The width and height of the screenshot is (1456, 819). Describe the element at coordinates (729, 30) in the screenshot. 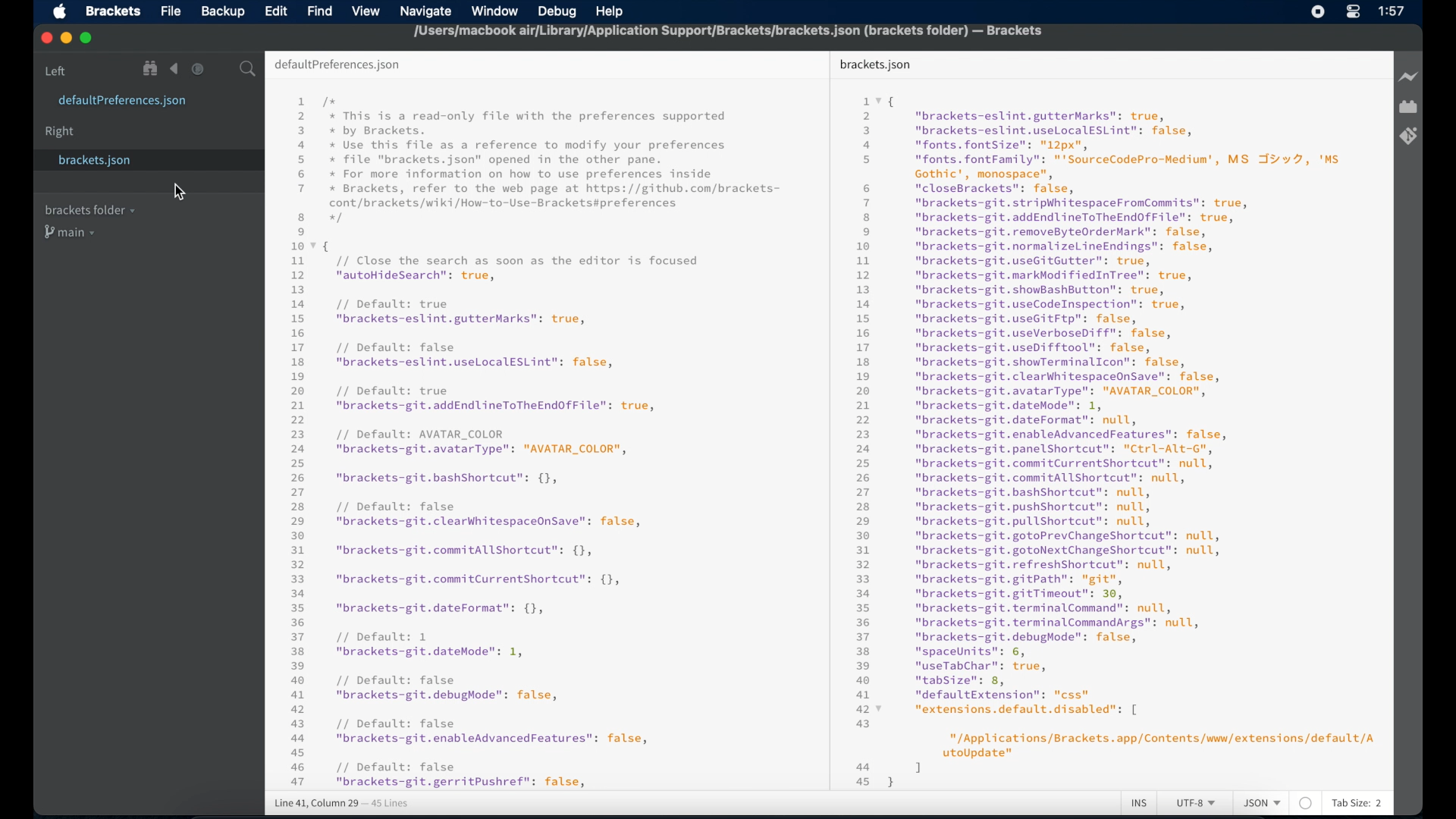

I see `/Users/macbook air/Library/Application Support/Brackets/brackets.json (brackets folder) — Brackets` at that location.